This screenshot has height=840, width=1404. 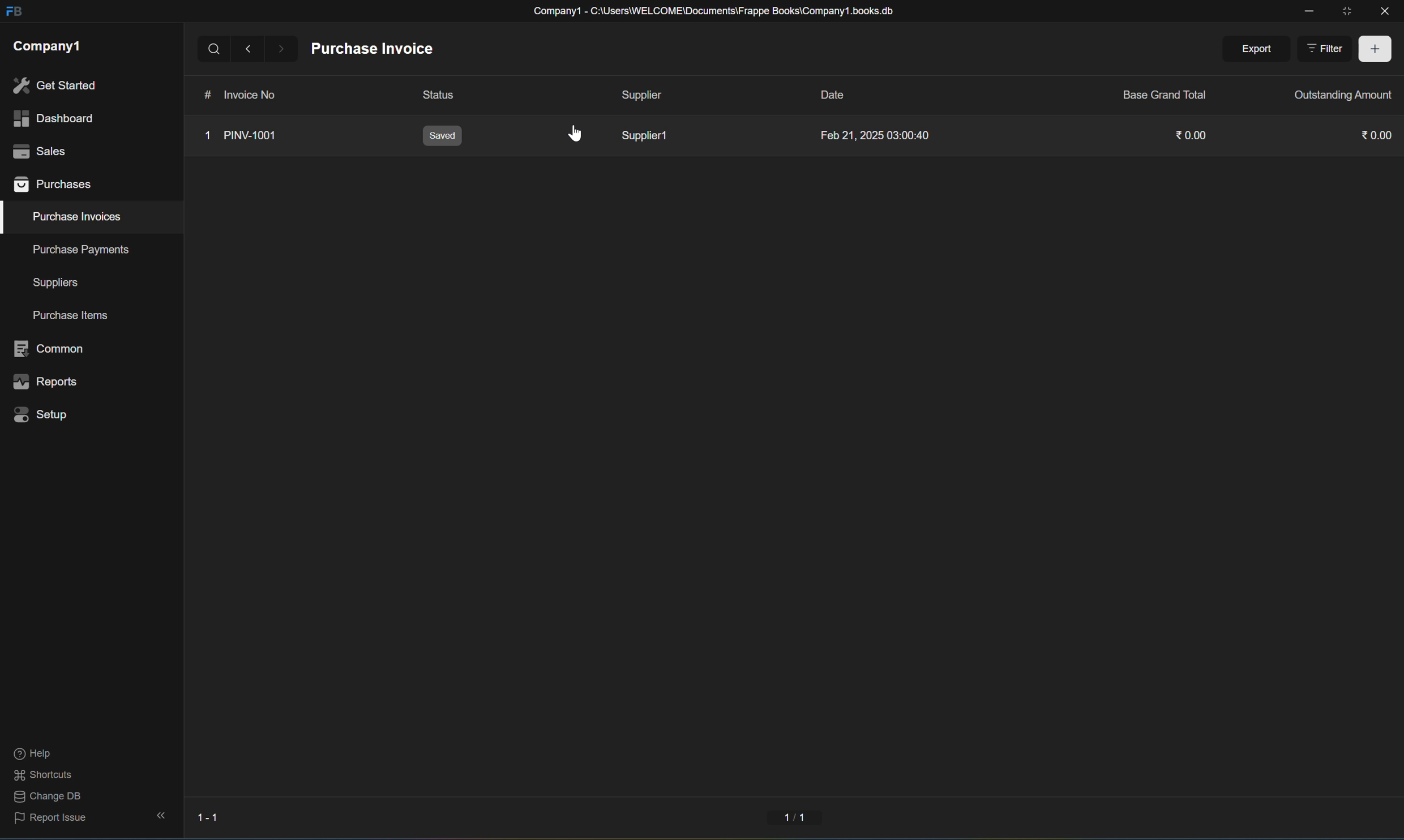 I want to click on export, so click(x=1259, y=50).